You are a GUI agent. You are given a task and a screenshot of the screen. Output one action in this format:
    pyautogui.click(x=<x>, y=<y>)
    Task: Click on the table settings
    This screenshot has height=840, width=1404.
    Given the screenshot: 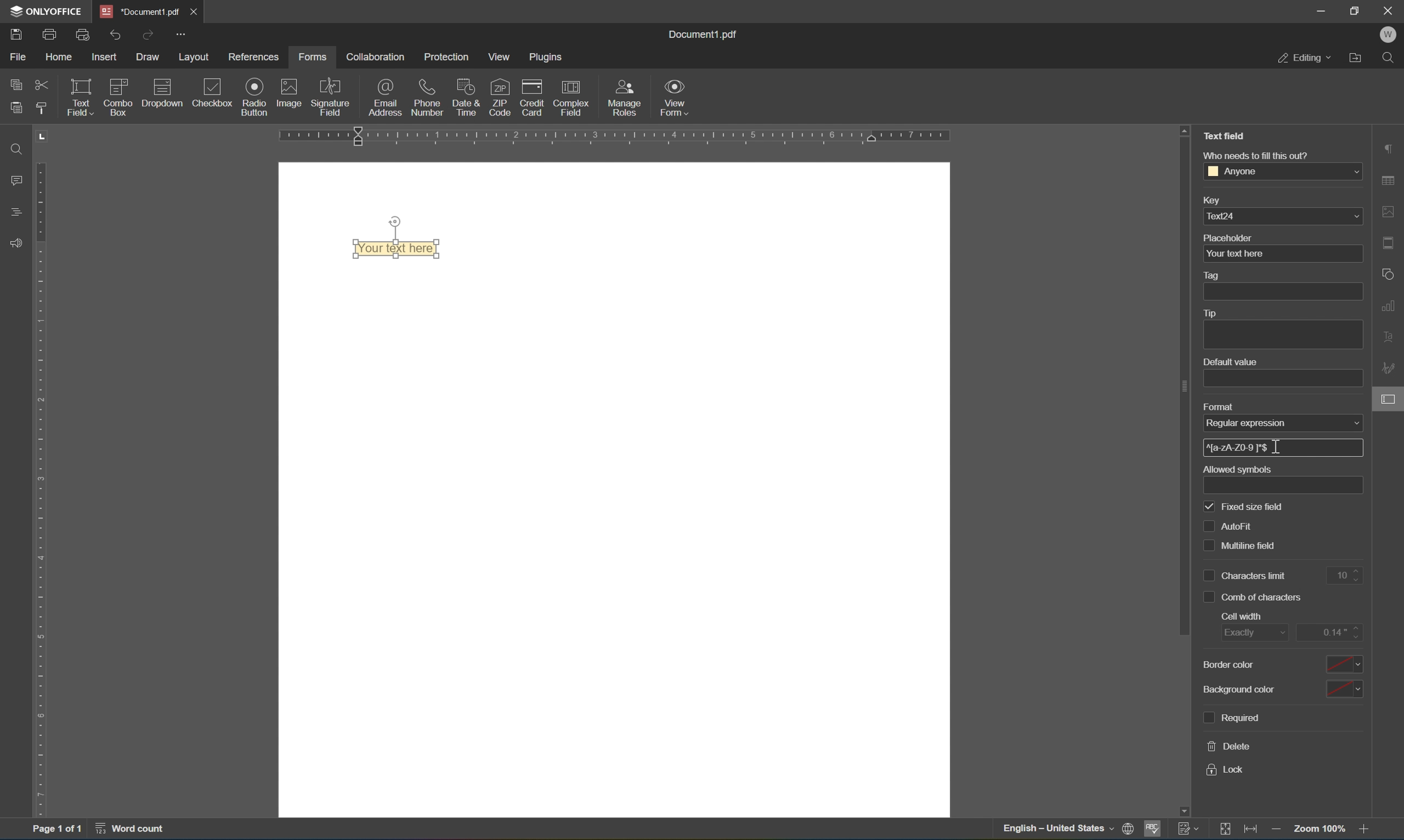 What is the action you would take?
    pyautogui.click(x=1390, y=182)
    